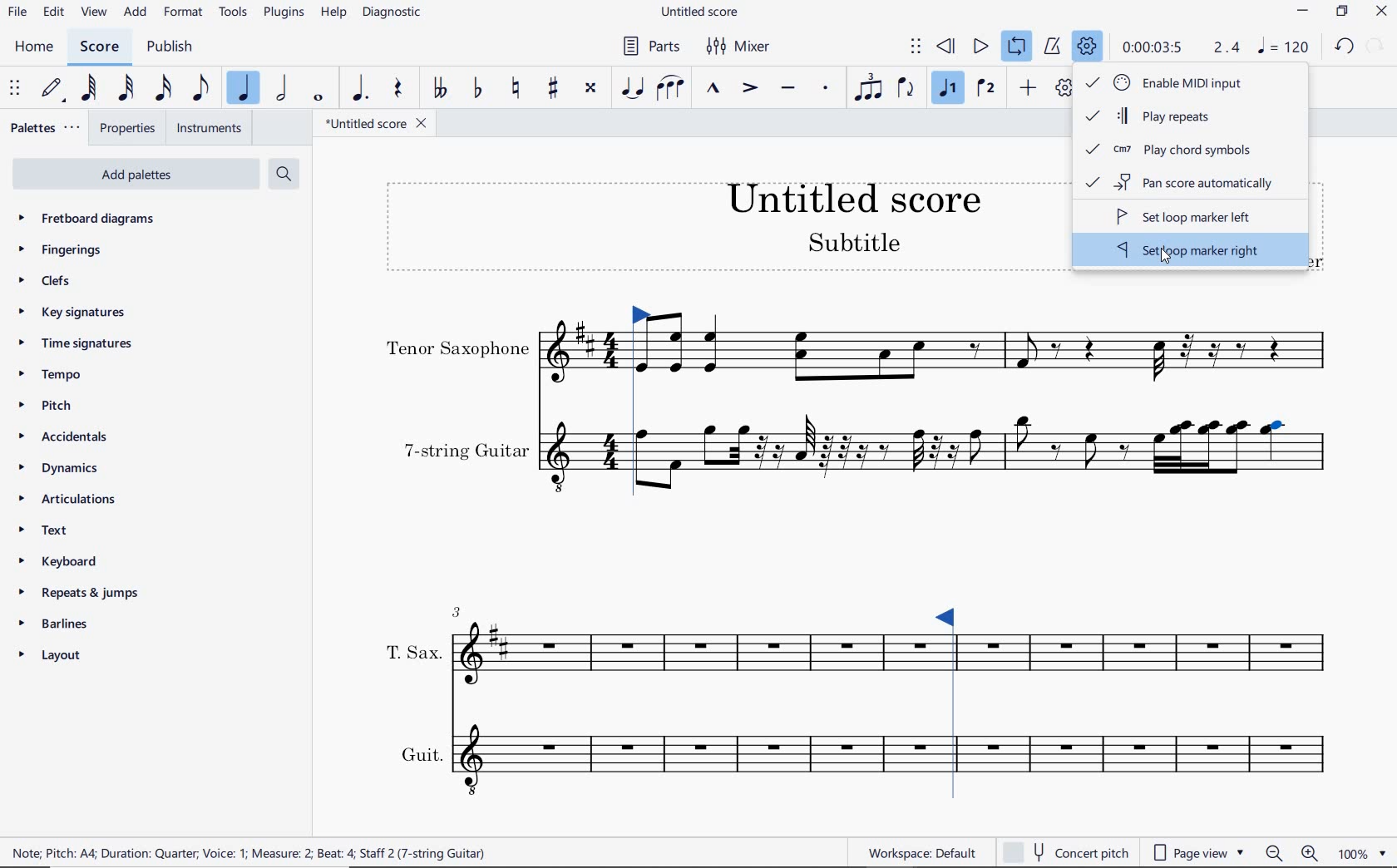  I want to click on ACCIDENTALS, so click(60, 439).